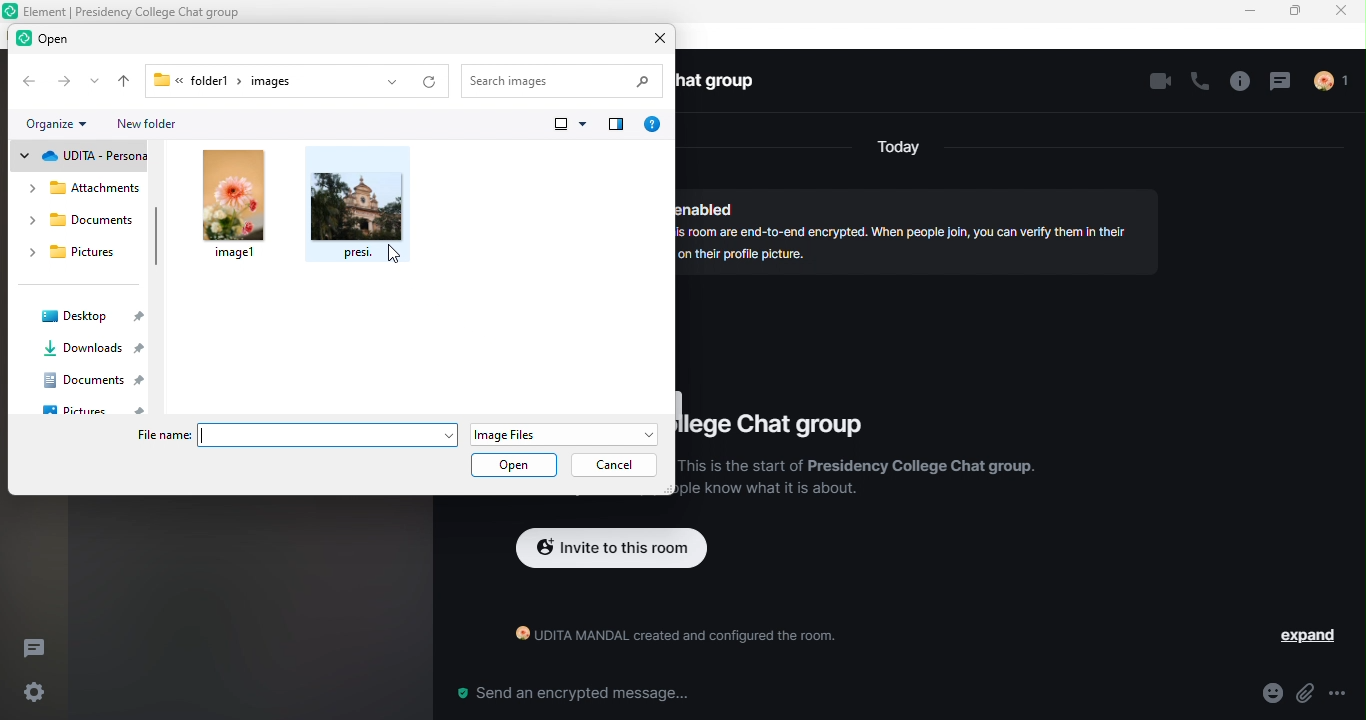 The height and width of the screenshot is (720, 1366). I want to click on file name, so click(292, 436).